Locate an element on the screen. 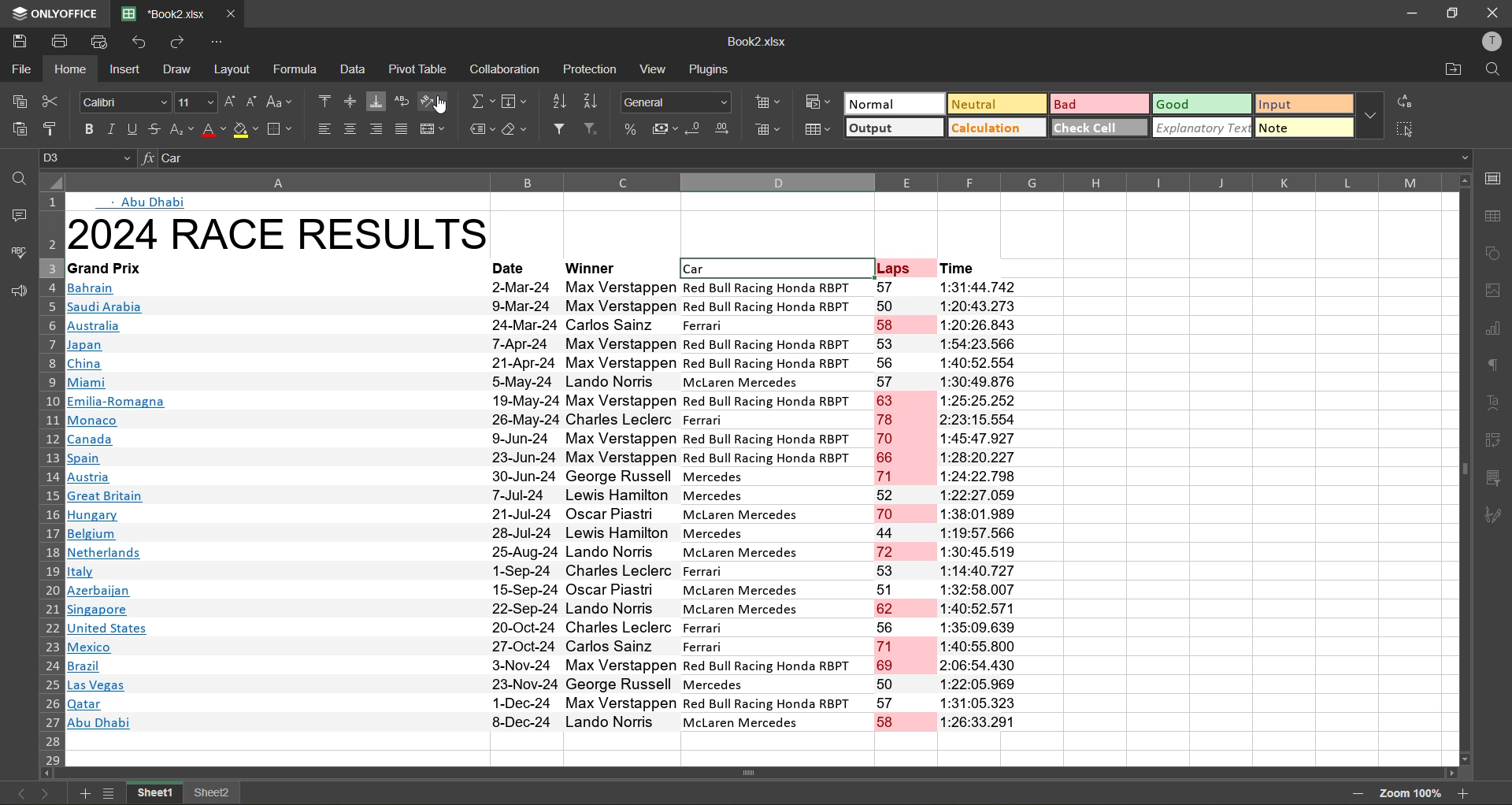 The image size is (1512, 805). strikethrough is located at coordinates (157, 130).